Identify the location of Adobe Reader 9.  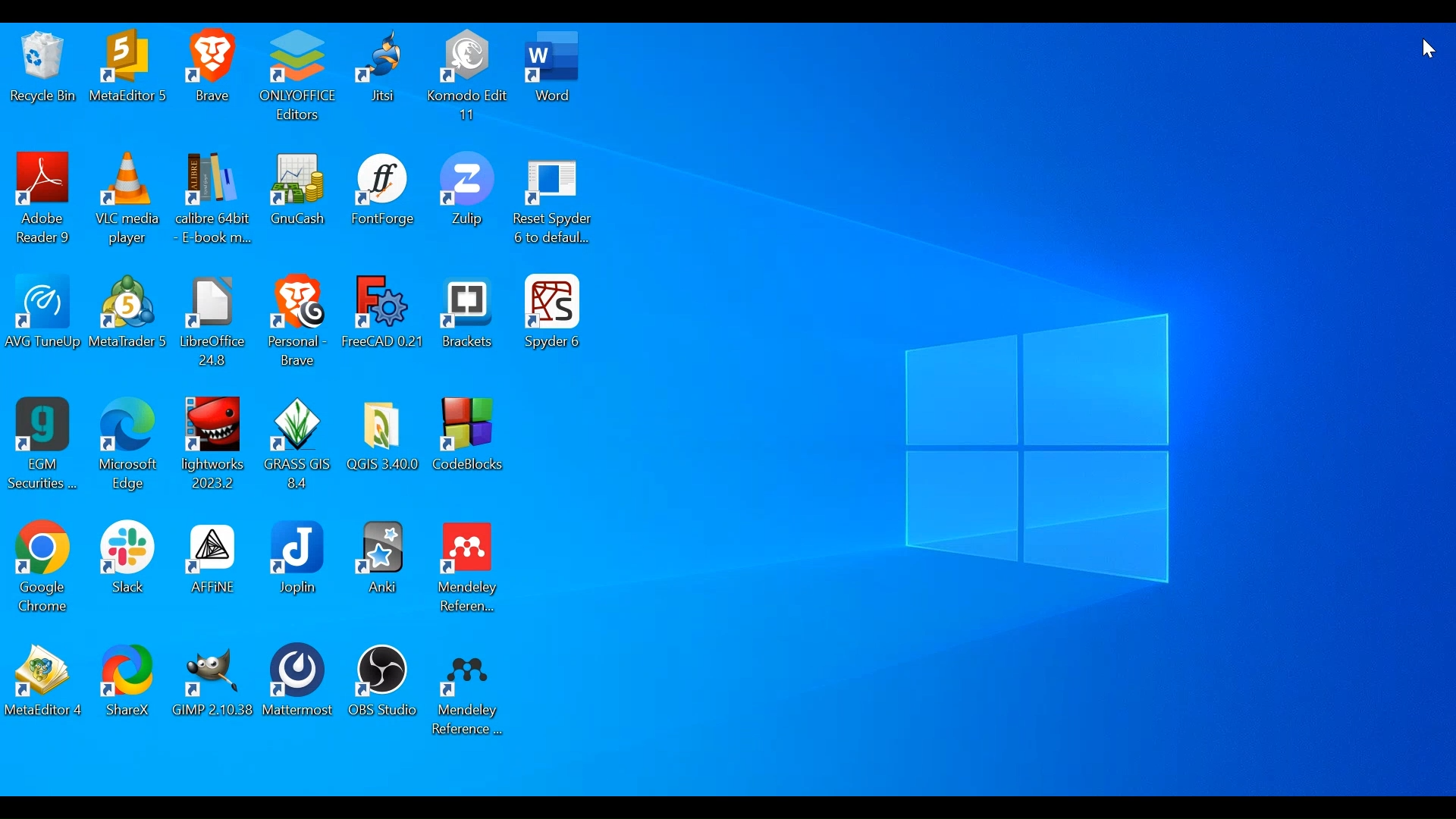
(45, 200).